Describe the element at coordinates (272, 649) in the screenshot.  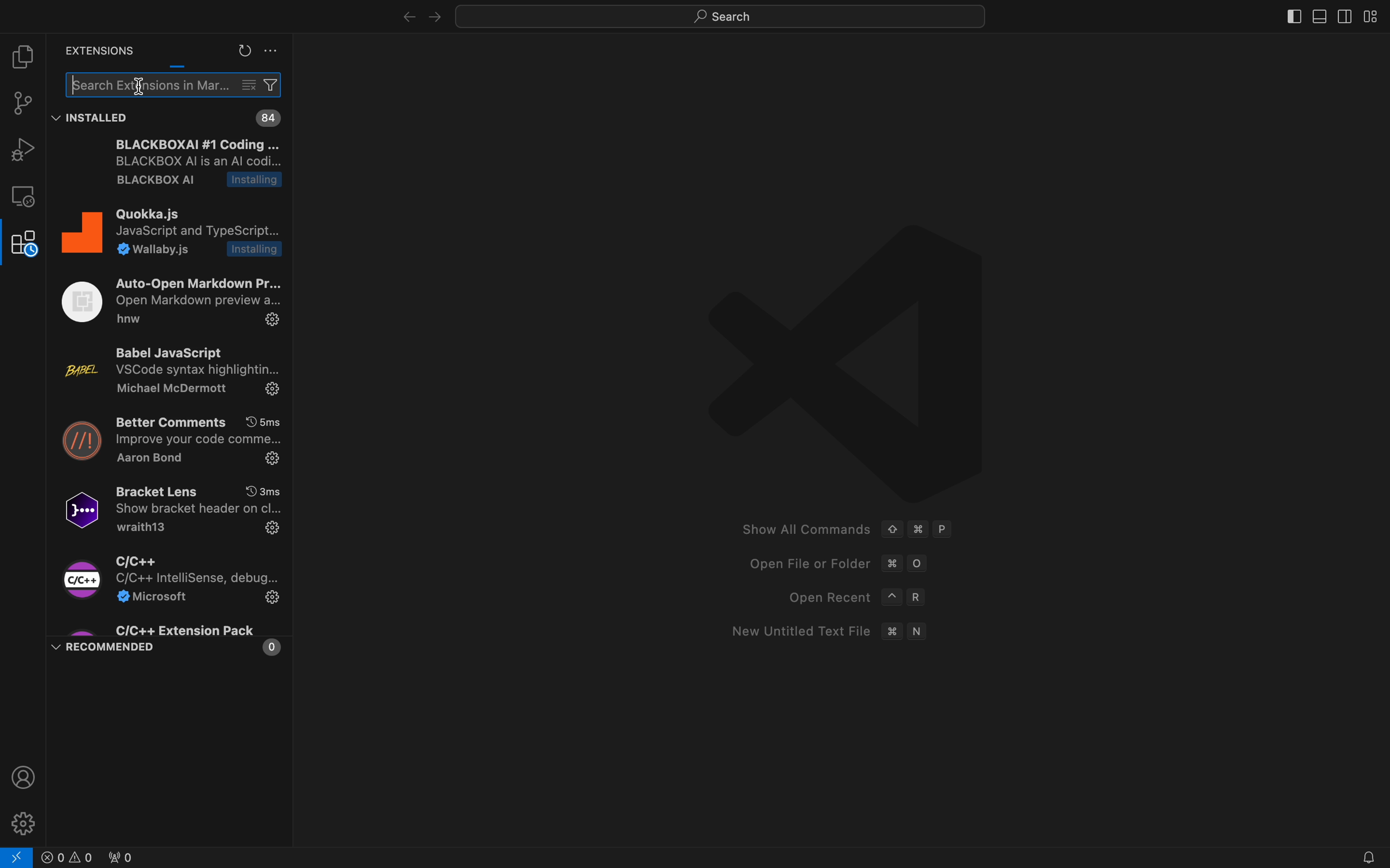
I see `0` at that location.